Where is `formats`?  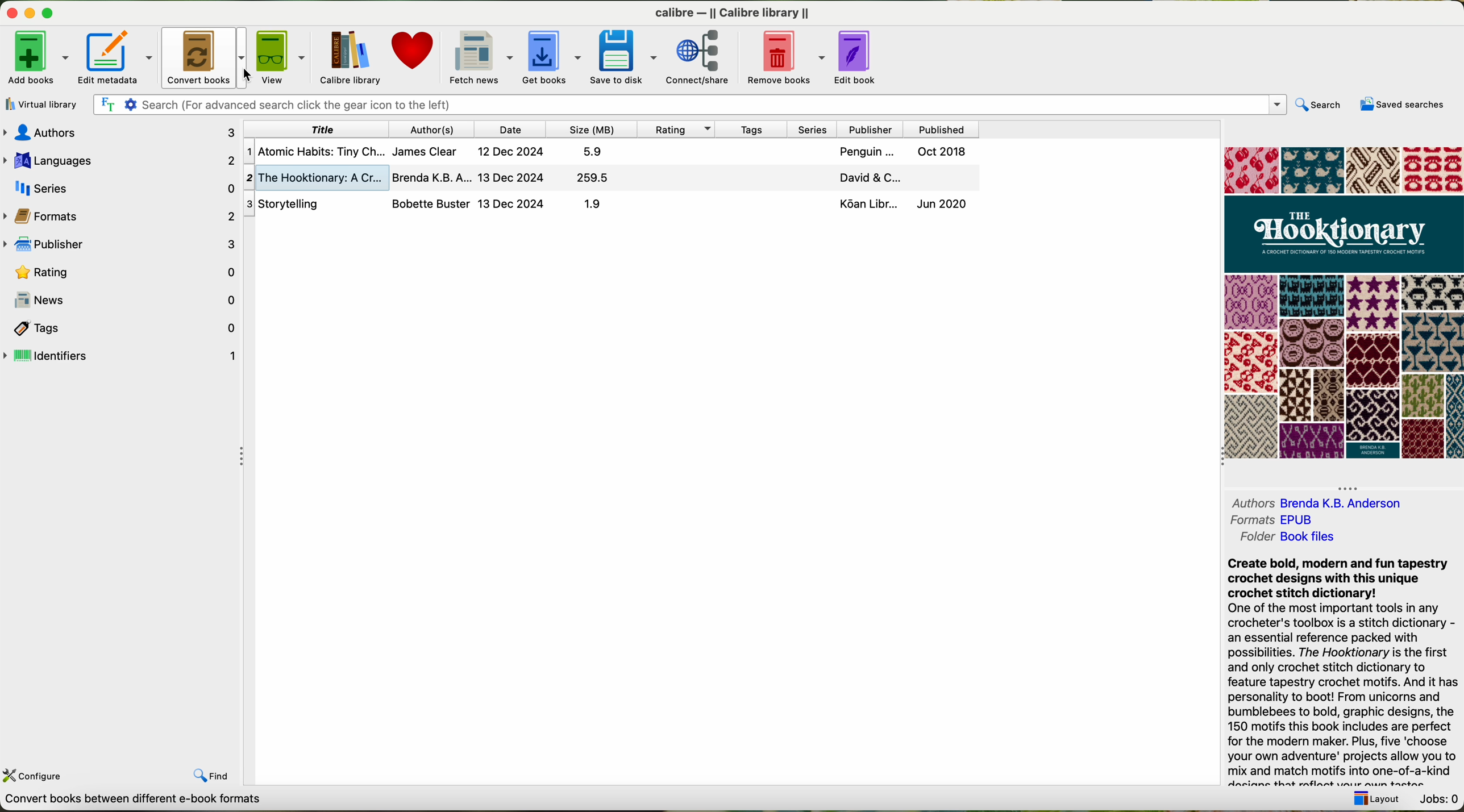
formats is located at coordinates (1250, 520).